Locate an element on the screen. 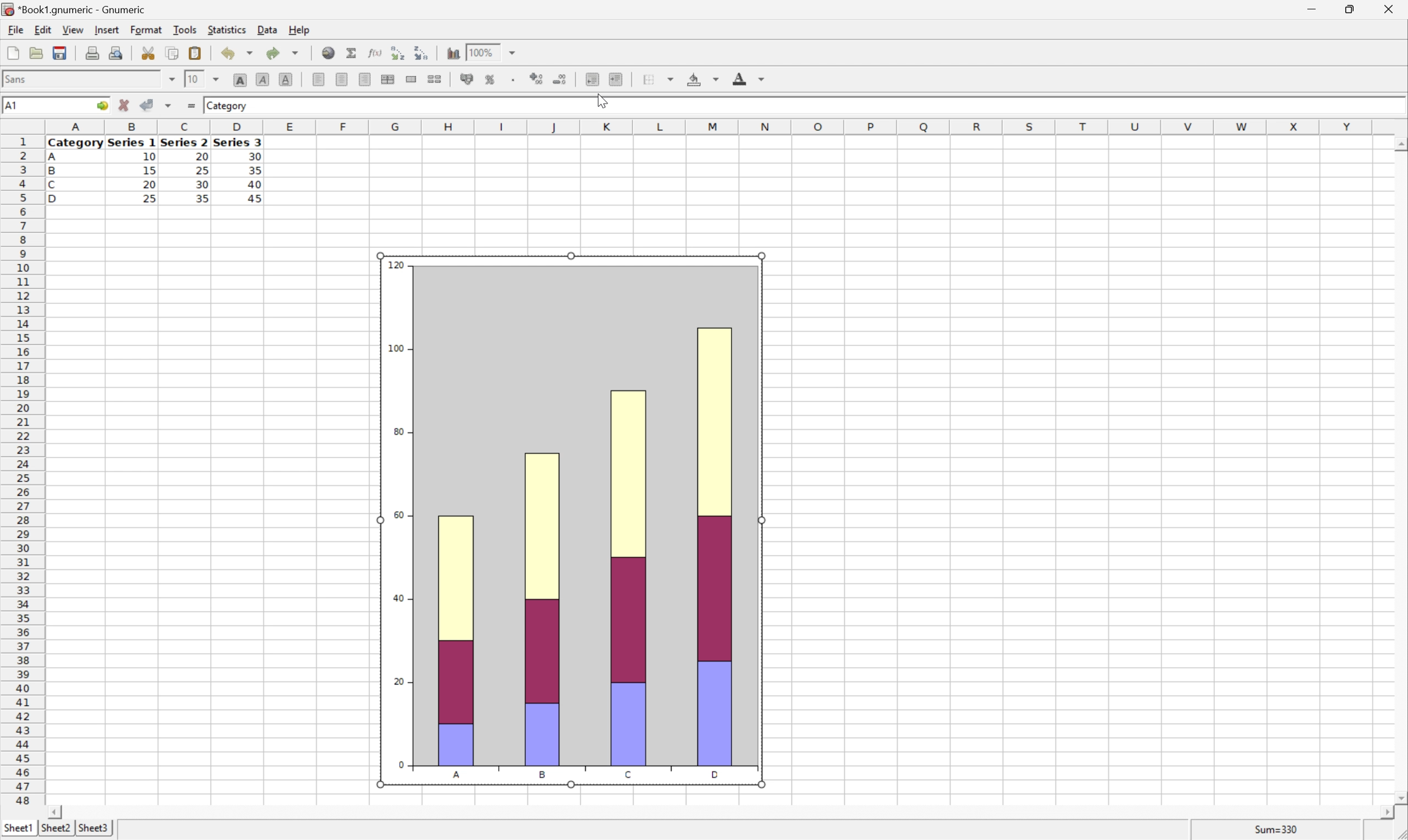 Image resolution: width=1408 pixels, height=840 pixels. Sum=0 is located at coordinates (1279, 832).